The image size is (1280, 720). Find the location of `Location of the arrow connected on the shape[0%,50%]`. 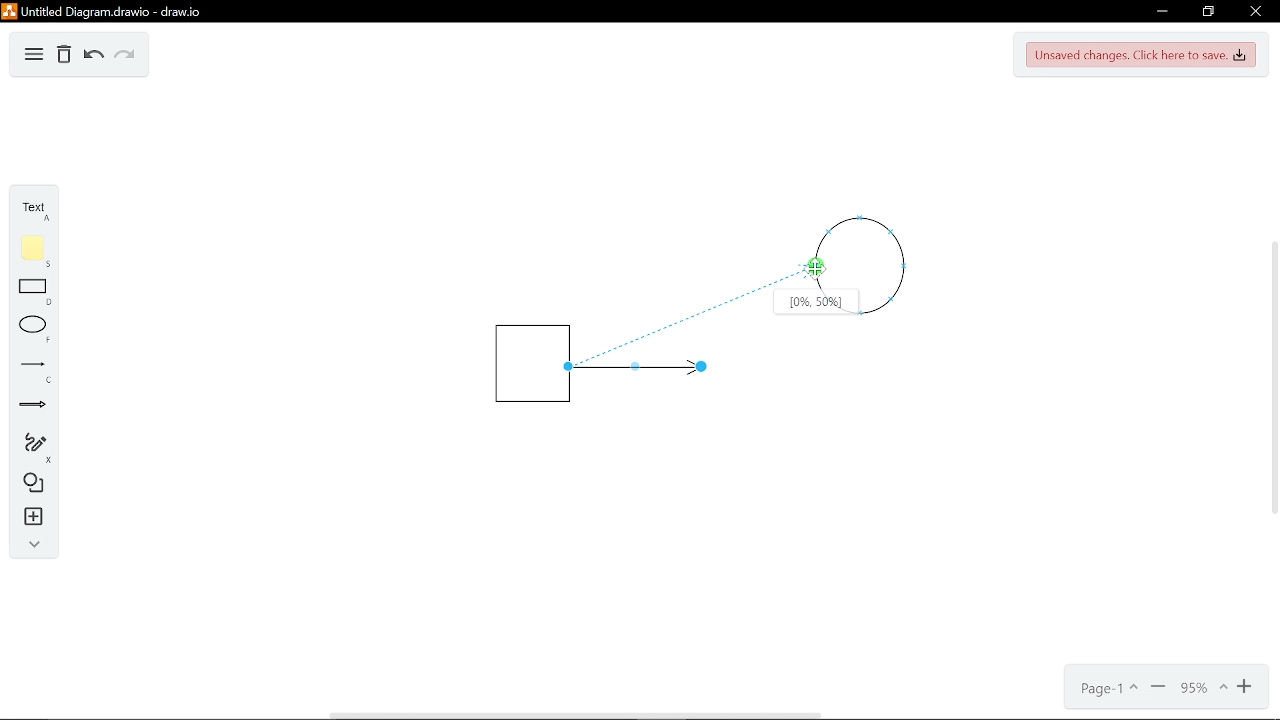

Location of the arrow connected on the shape[0%,50%] is located at coordinates (818, 301).